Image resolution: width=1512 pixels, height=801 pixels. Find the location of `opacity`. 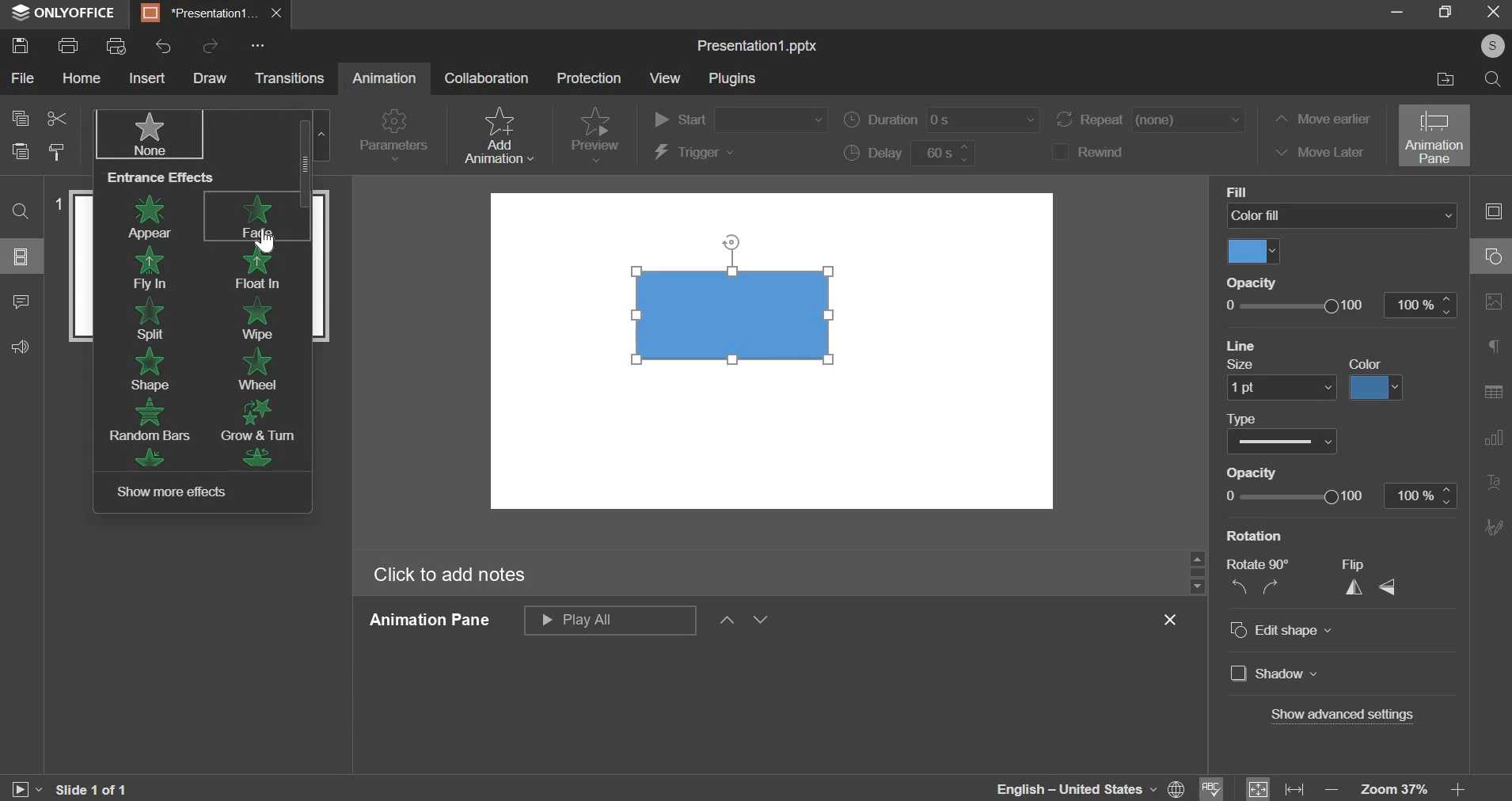

opacity is located at coordinates (1338, 496).